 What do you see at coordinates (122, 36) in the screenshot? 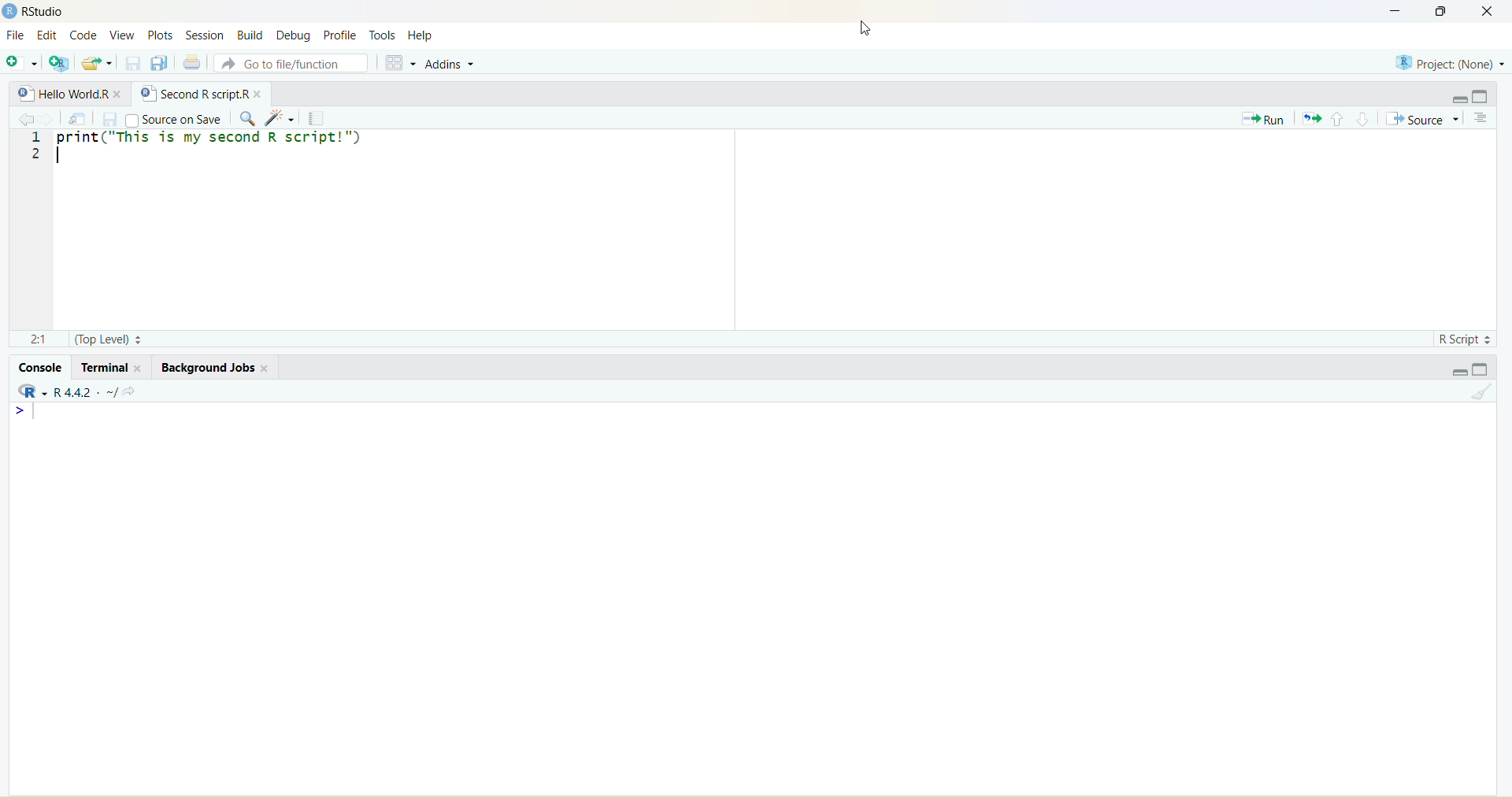
I see `View` at bounding box center [122, 36].